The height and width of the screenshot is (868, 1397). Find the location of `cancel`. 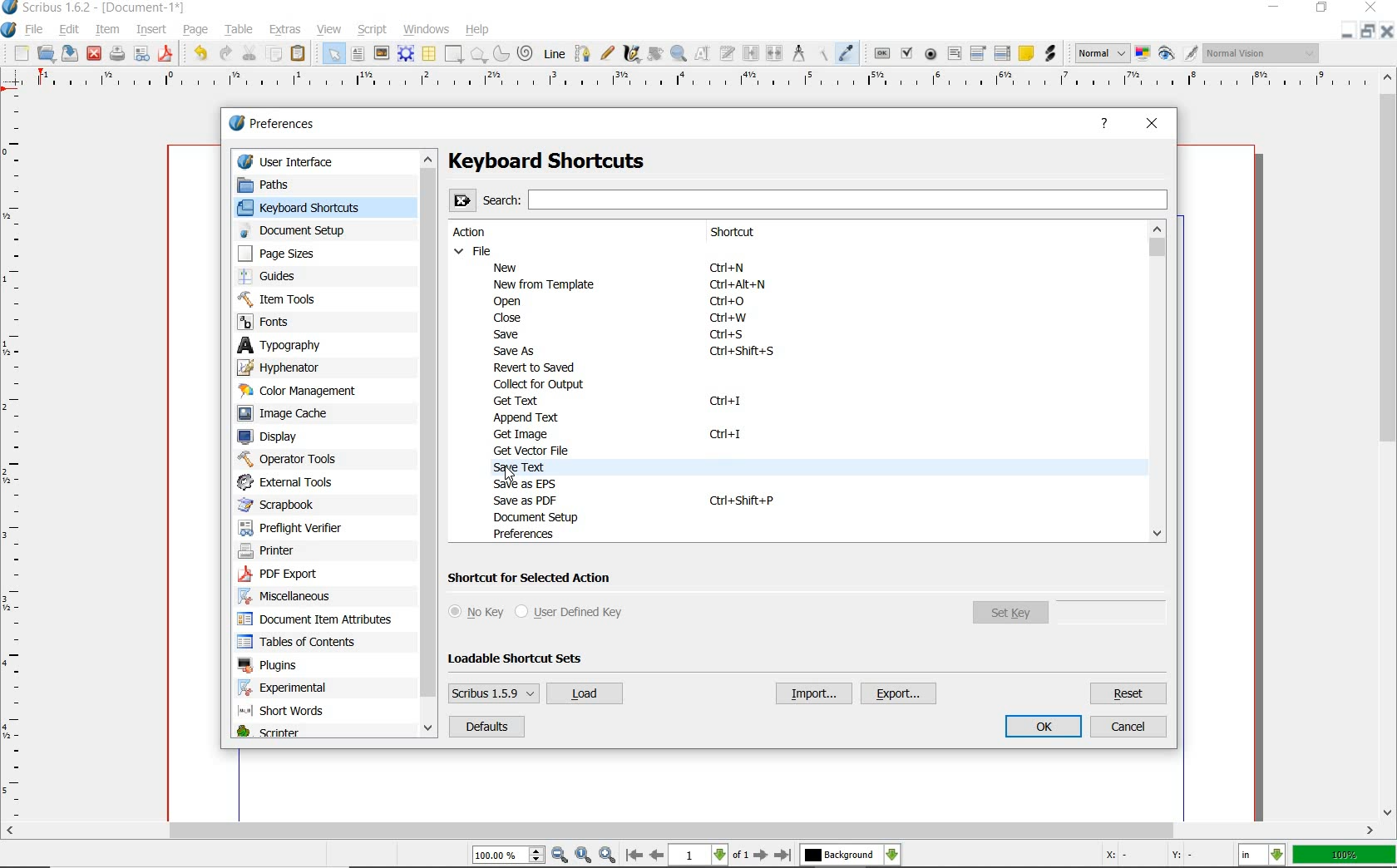

cancel is located at coordinates (1128, 727).